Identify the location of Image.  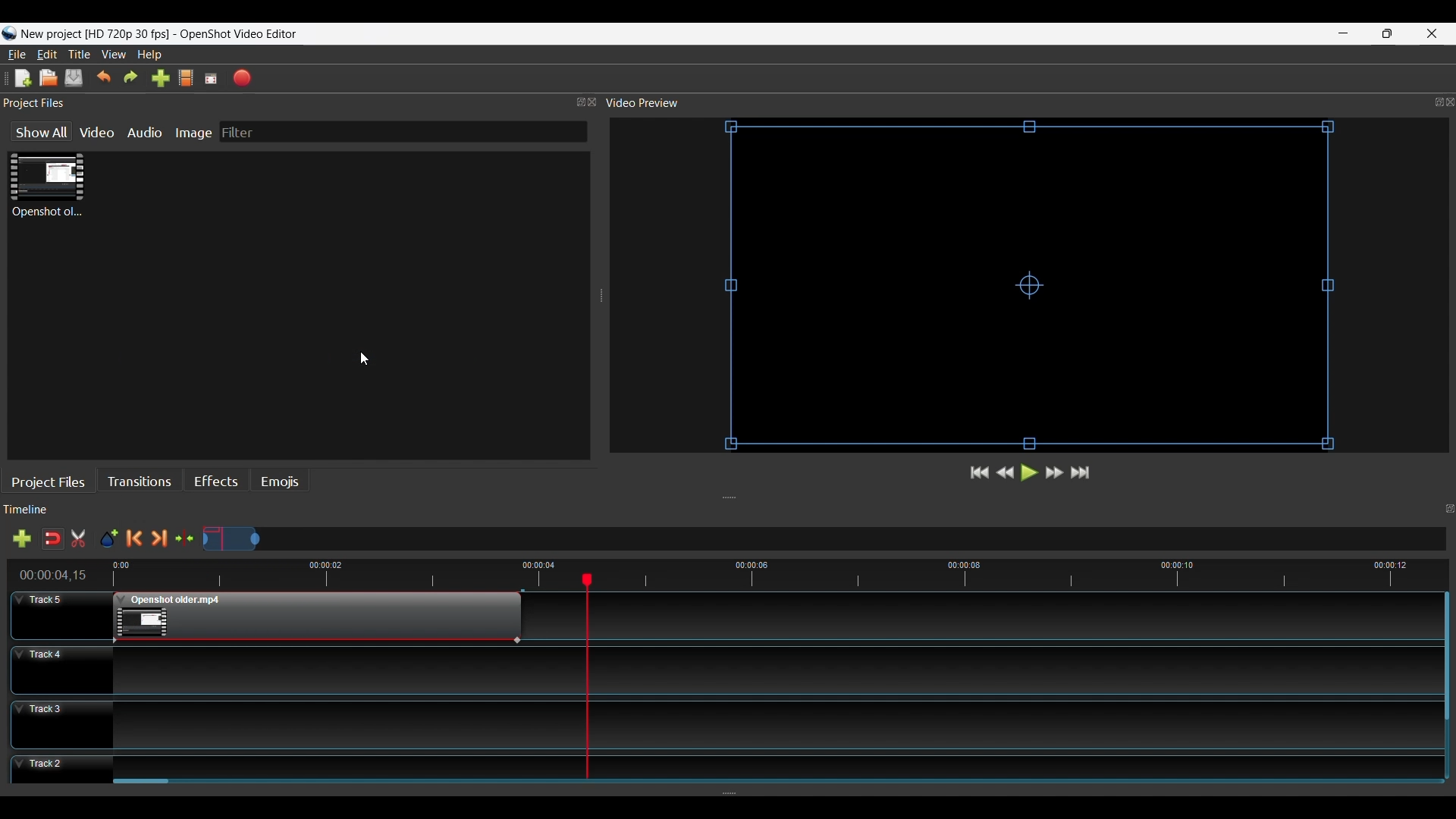
(196, 132).